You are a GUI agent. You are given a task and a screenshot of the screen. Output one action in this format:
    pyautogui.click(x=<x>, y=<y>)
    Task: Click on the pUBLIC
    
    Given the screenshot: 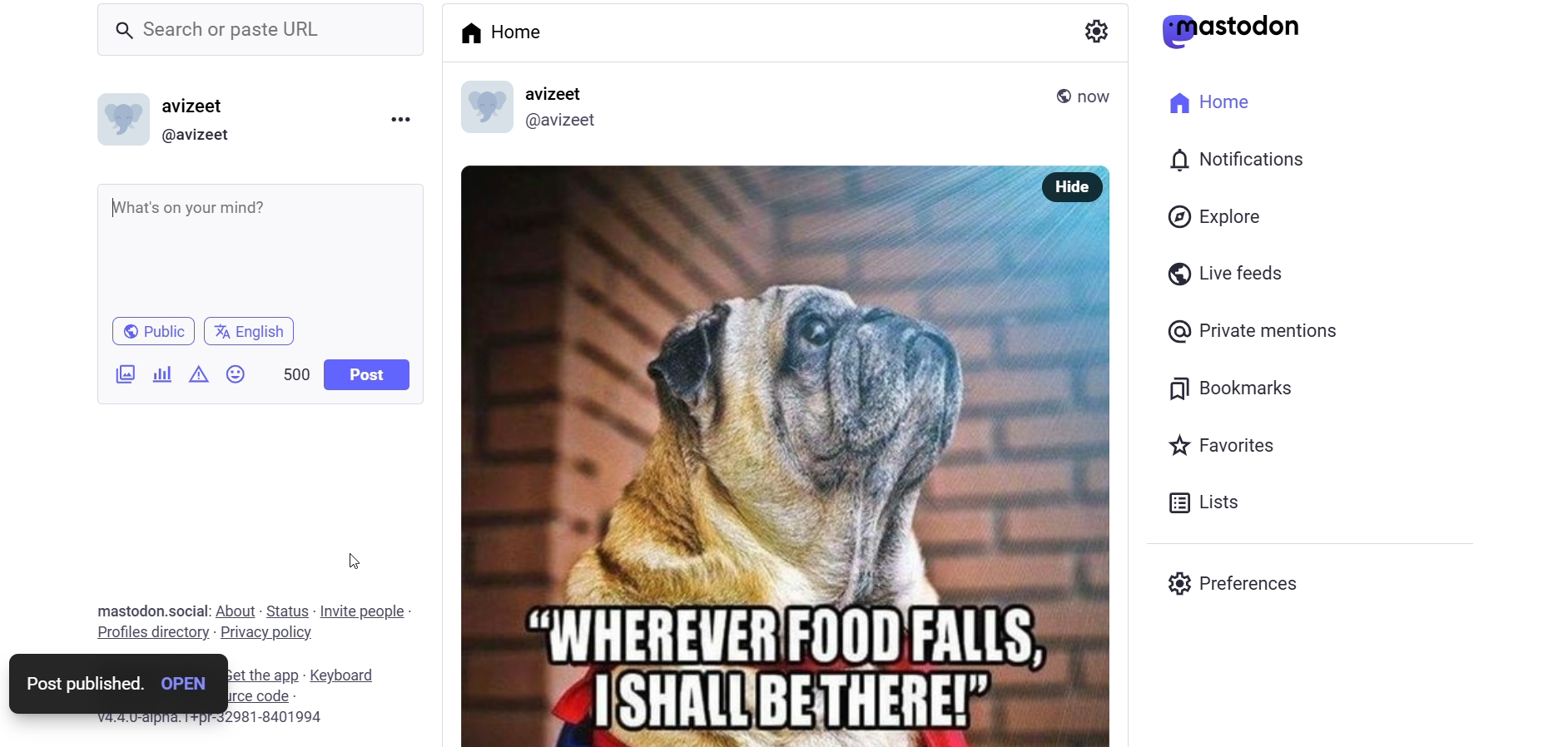 What is the action you would take?
    pyautogui.click(x=161, y=329)
    